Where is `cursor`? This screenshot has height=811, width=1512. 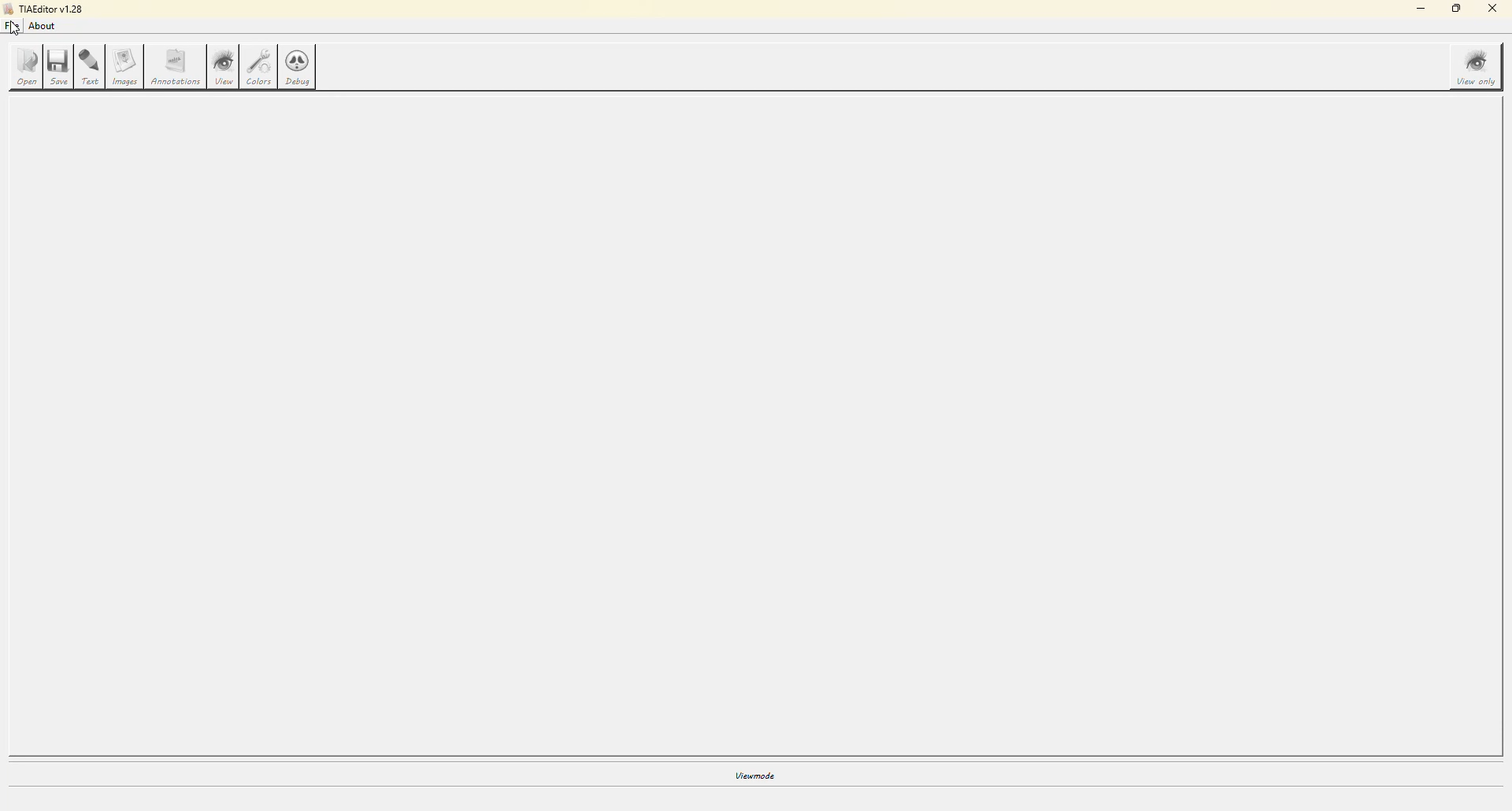
cursor is located at coordinates (13, 31).